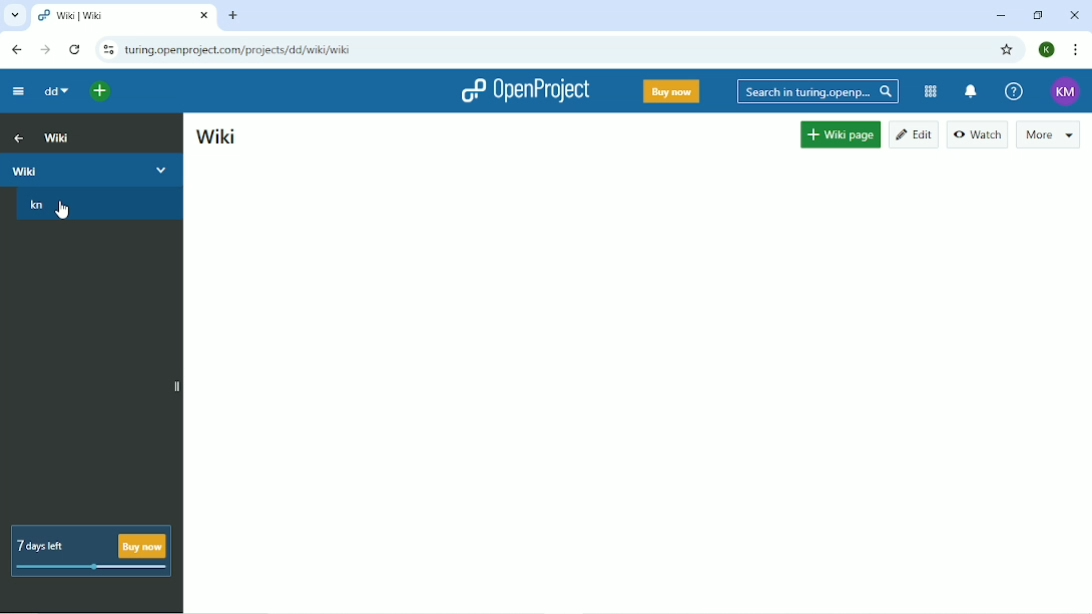 This screenshot has height=614, width=1092. I want to click on Forward, so click(45, 50).